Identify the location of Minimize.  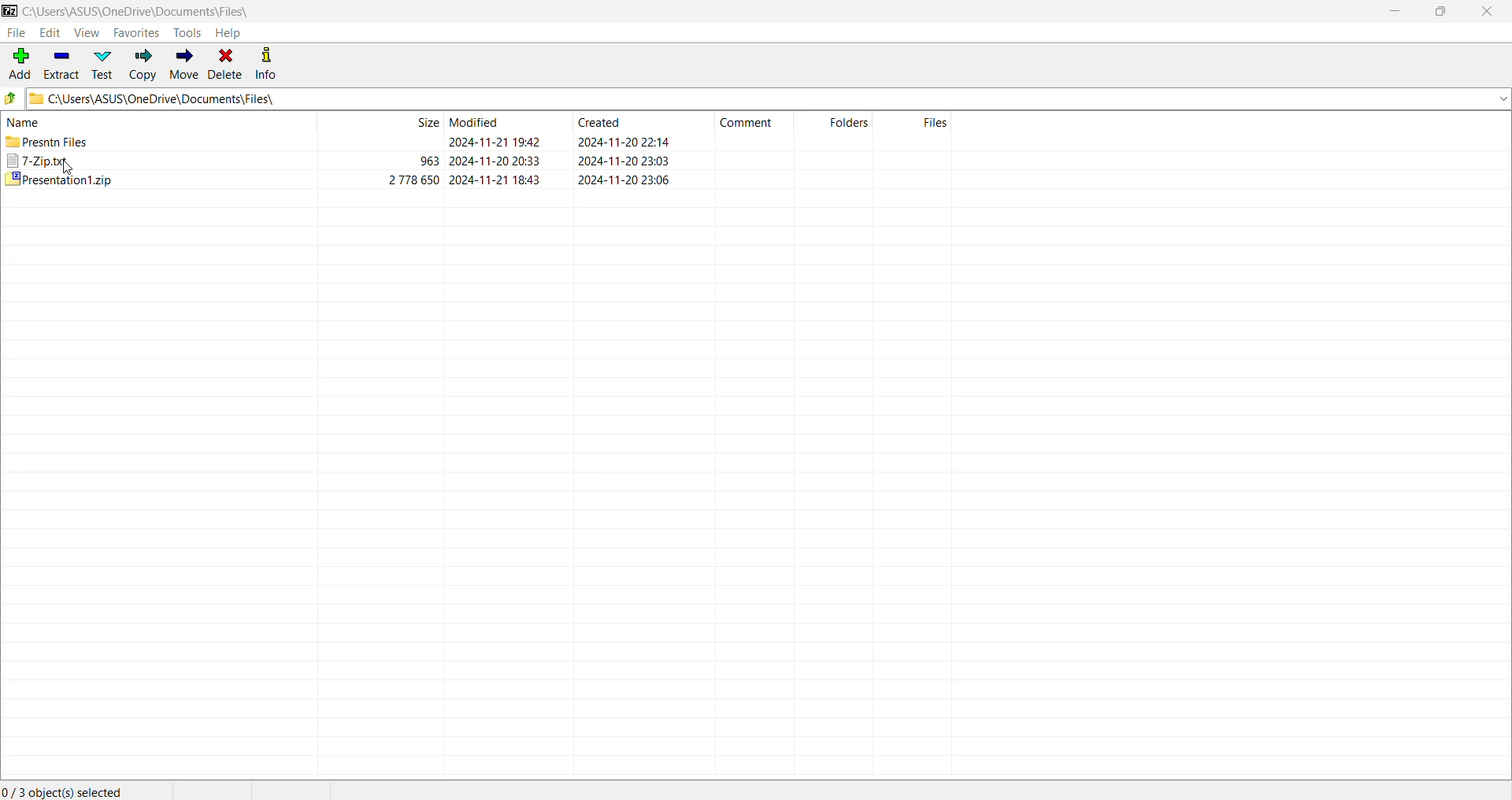
(1396, 12).